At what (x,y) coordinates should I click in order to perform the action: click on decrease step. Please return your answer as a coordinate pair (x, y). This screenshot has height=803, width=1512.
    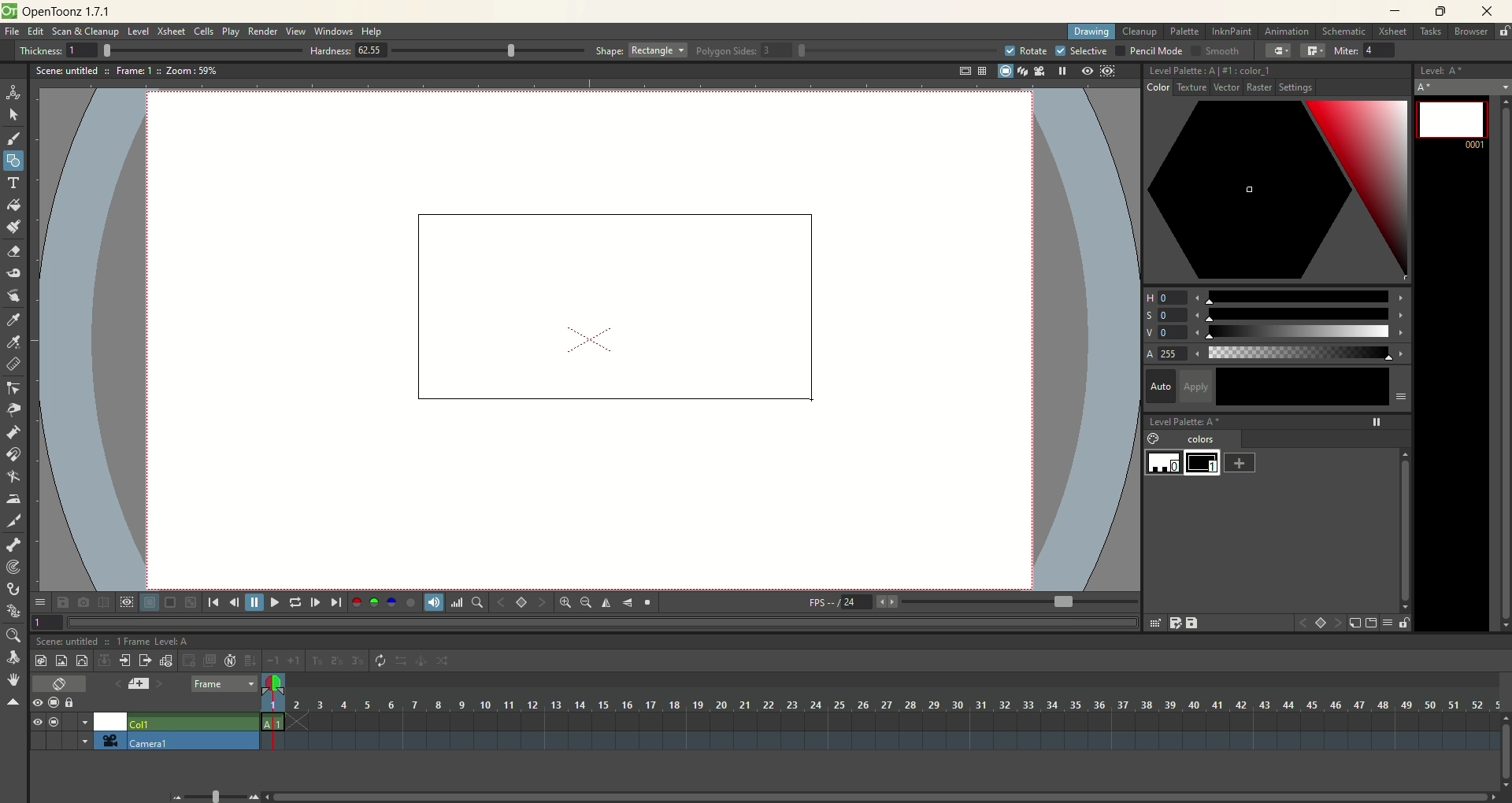
    Looking at the image, I should click on (272, 661).